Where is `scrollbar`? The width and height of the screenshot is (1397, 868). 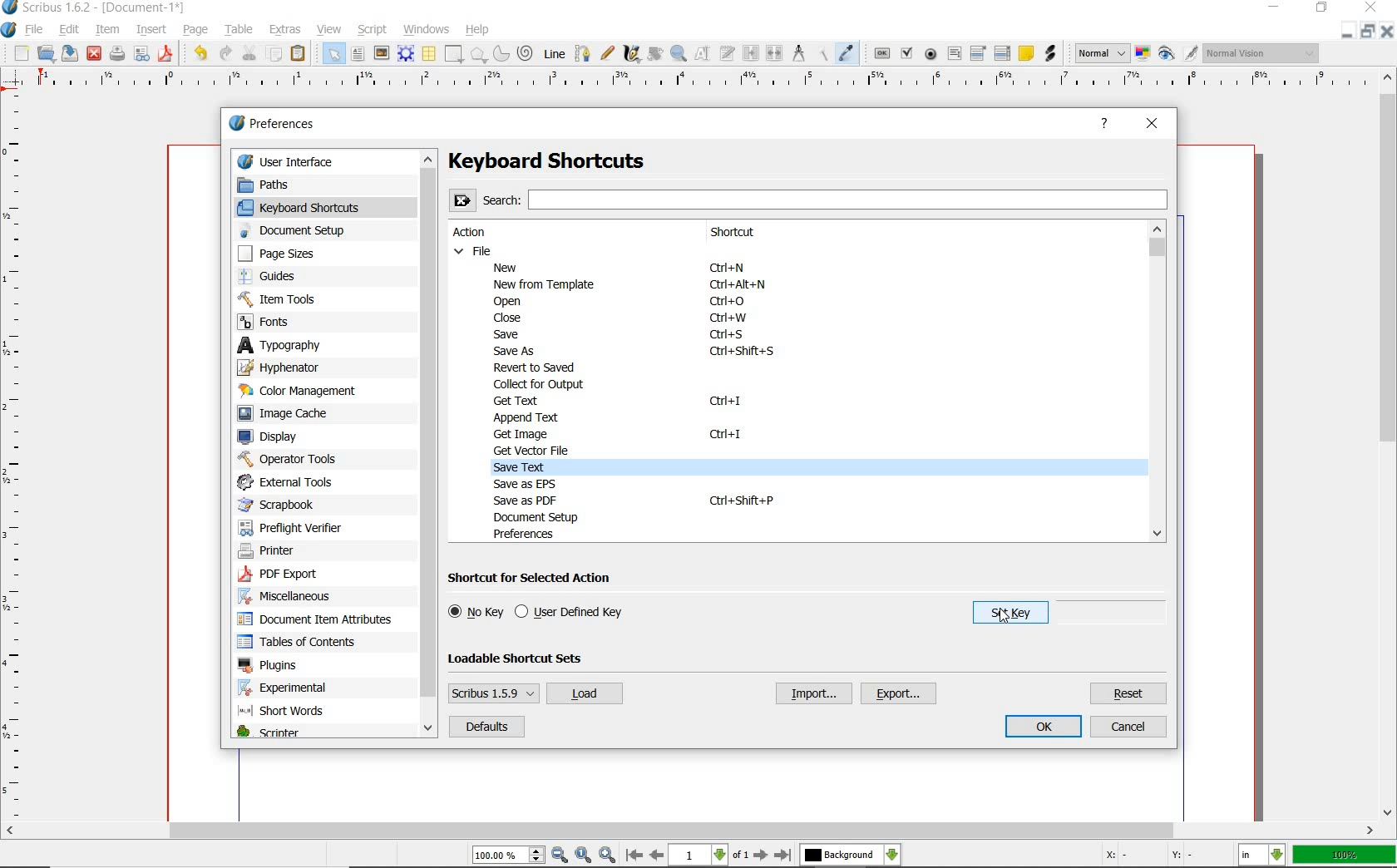 scrollbar is located at coordinates (689, 832).